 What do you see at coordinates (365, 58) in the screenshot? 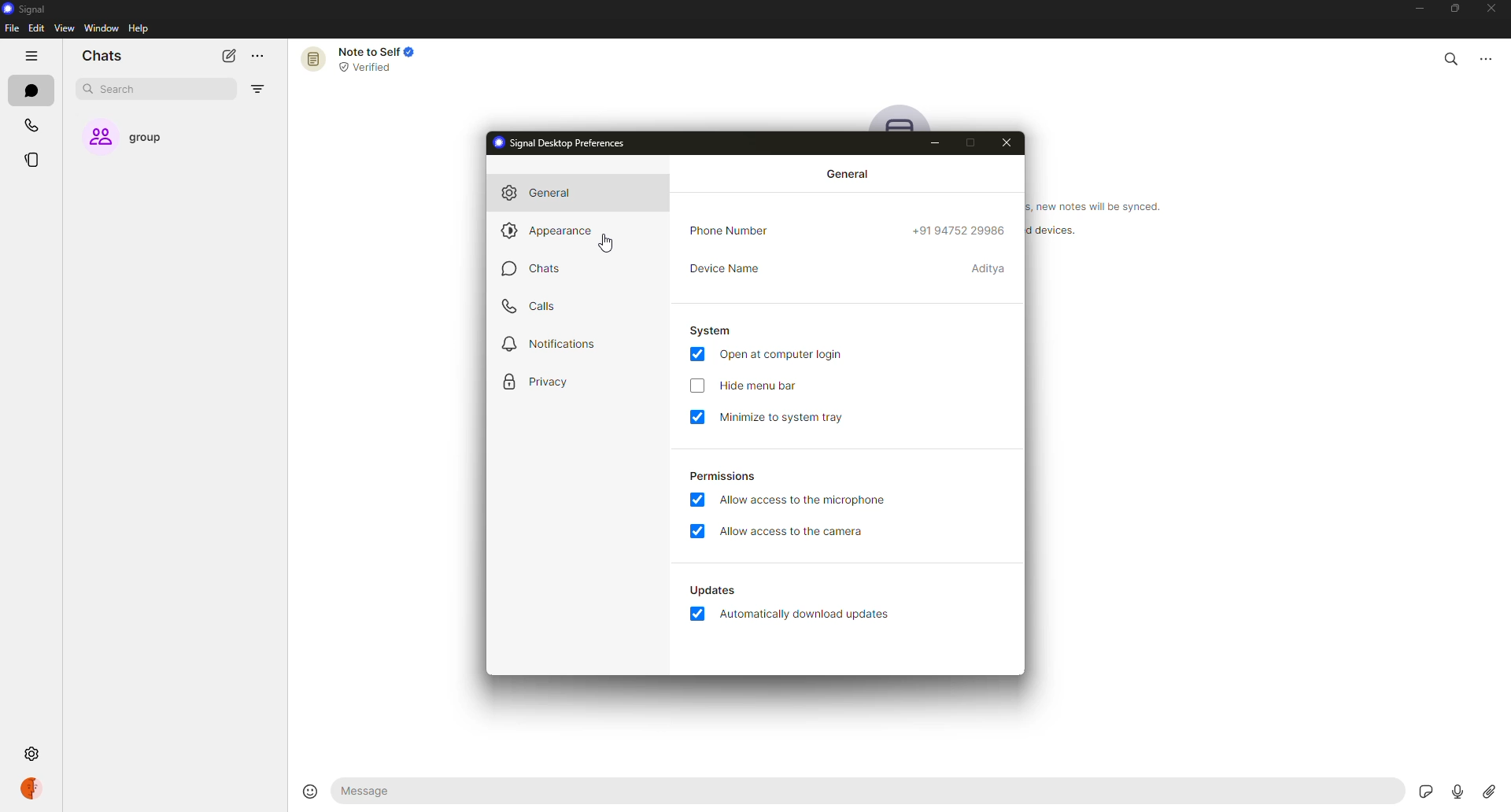
I see `note to self` at bounding box center [365, 58].